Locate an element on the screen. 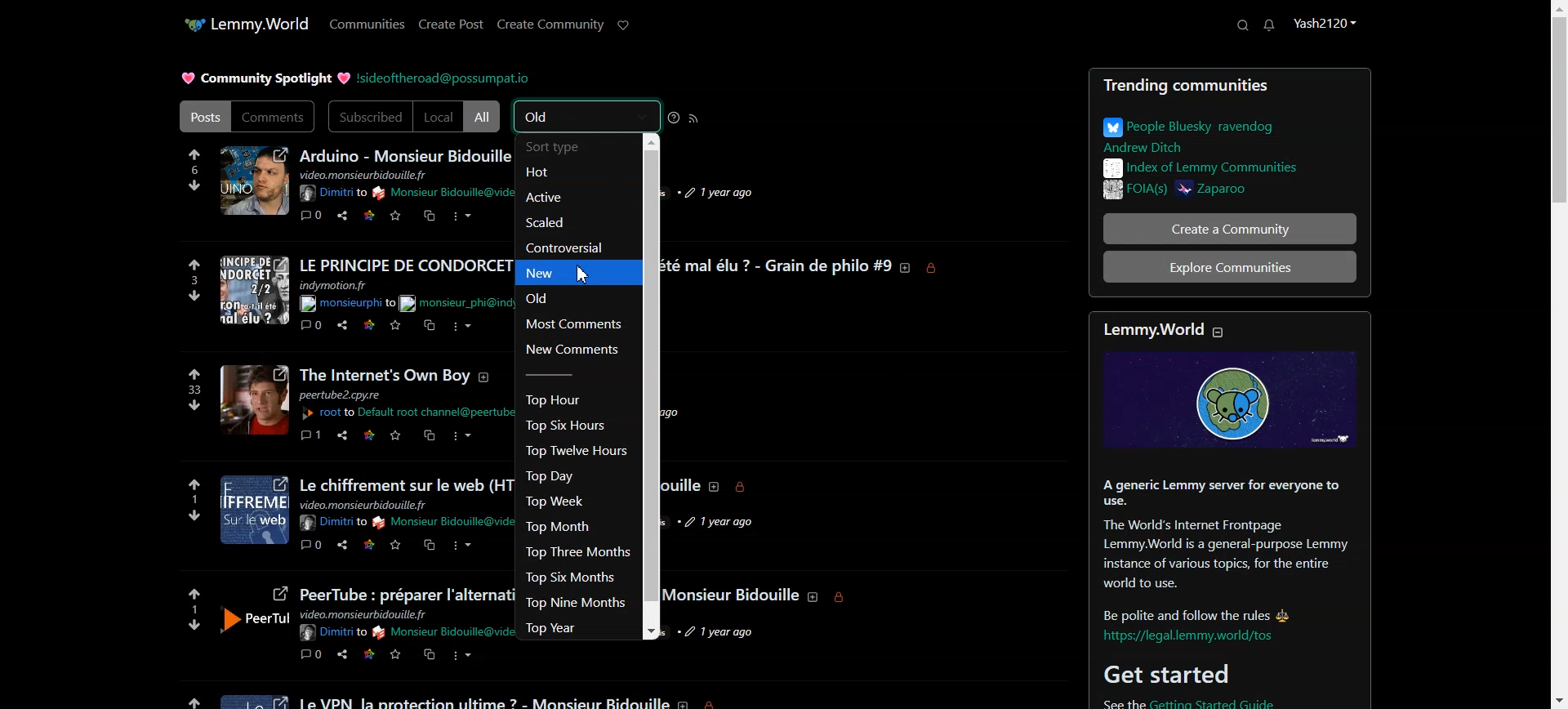 The image size is (1568, 709). 3 is located at coordinates (189, 280).